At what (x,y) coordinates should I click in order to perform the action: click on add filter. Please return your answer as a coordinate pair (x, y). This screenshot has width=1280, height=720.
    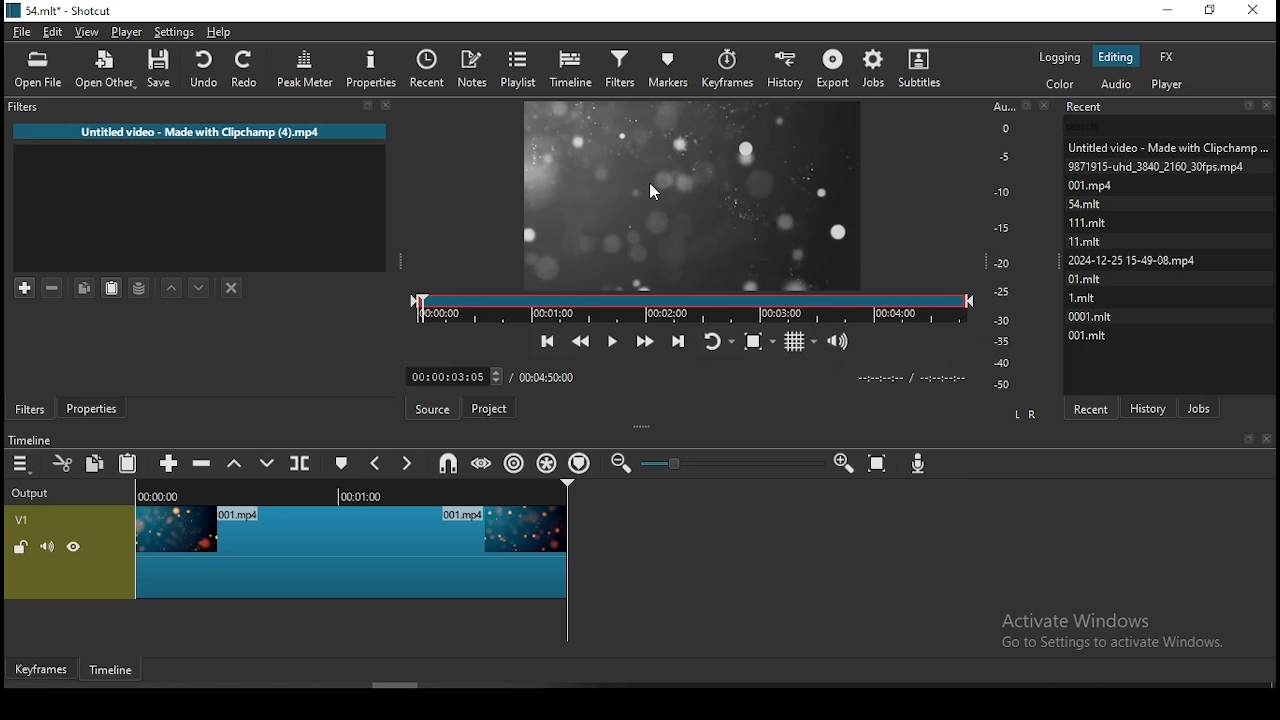
    Looking at the image, I should click on (25, 285).